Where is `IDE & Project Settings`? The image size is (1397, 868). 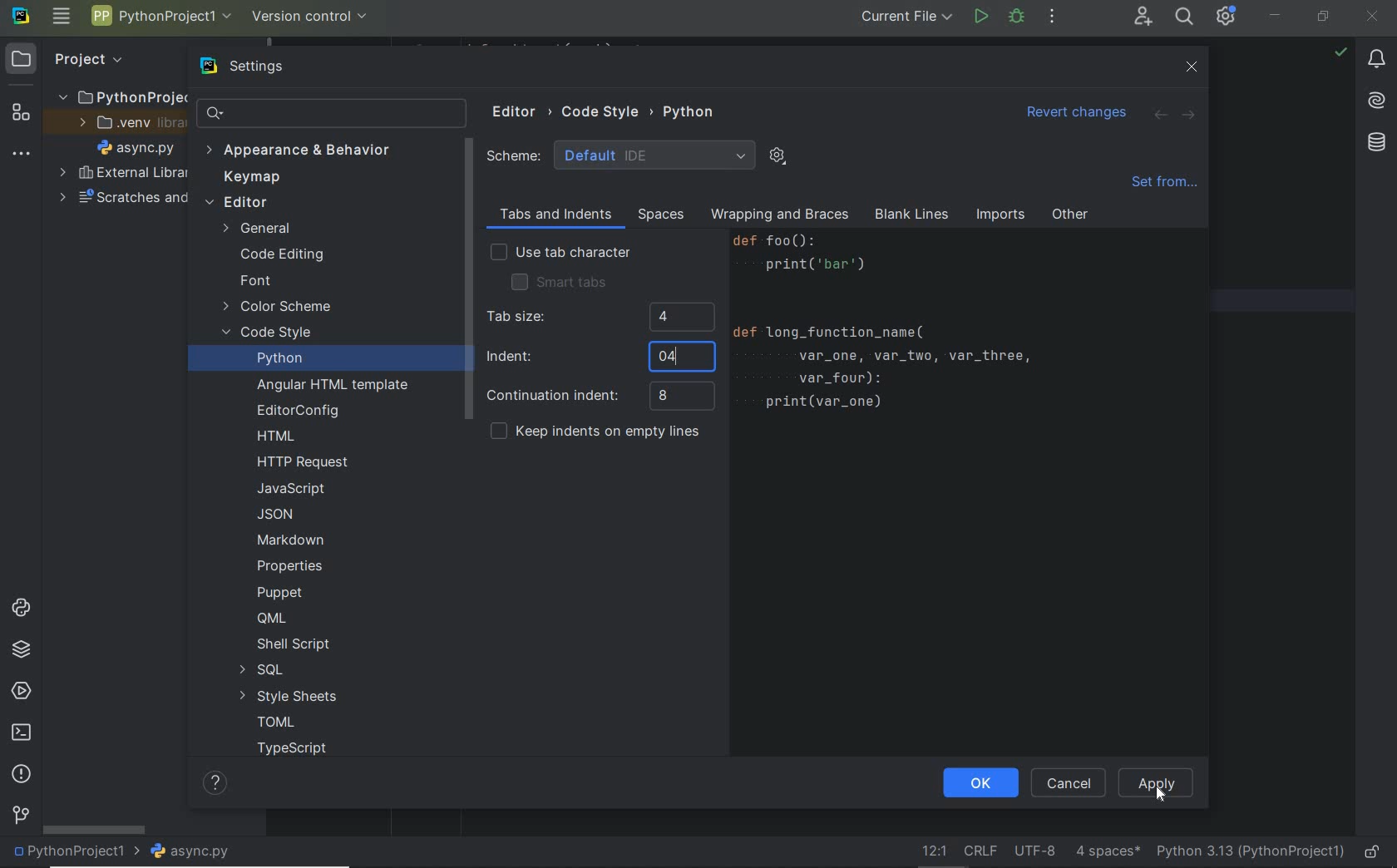
IDE & Project Settings is located at coordinates (1227, 16).